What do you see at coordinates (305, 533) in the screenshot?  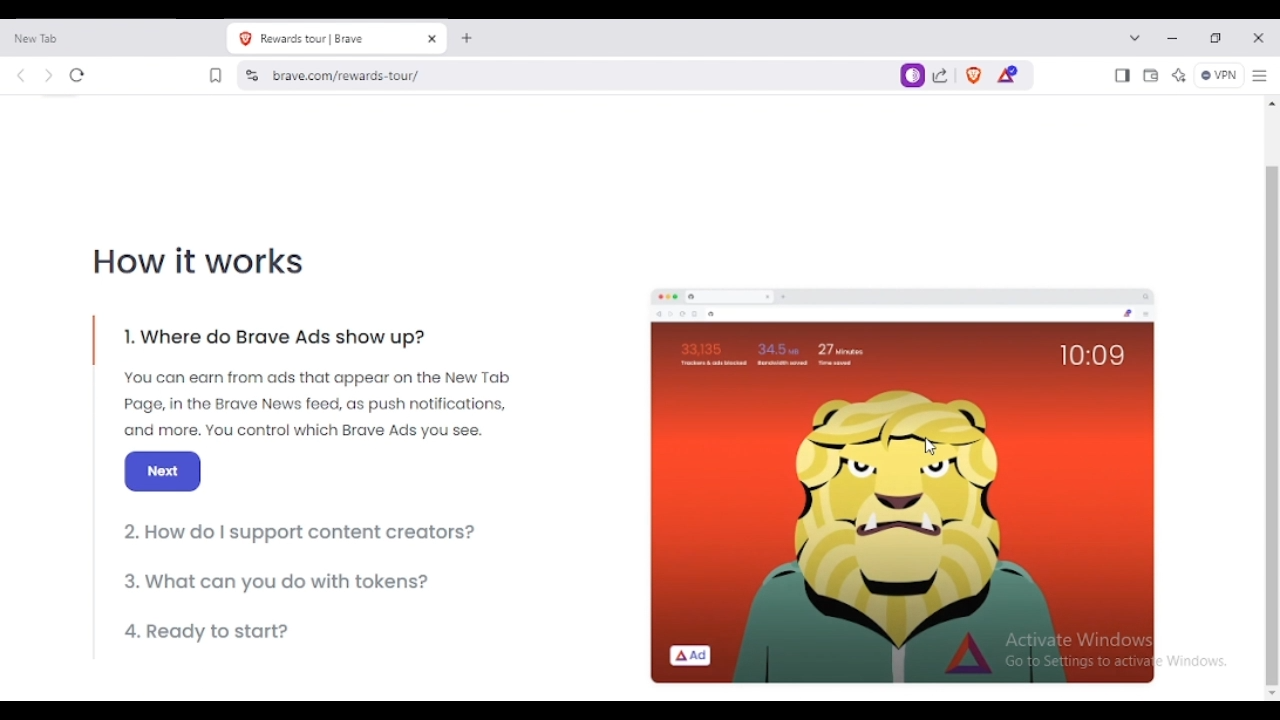 I see `2. how do i support content creators?` at bounding box center [305, 533].